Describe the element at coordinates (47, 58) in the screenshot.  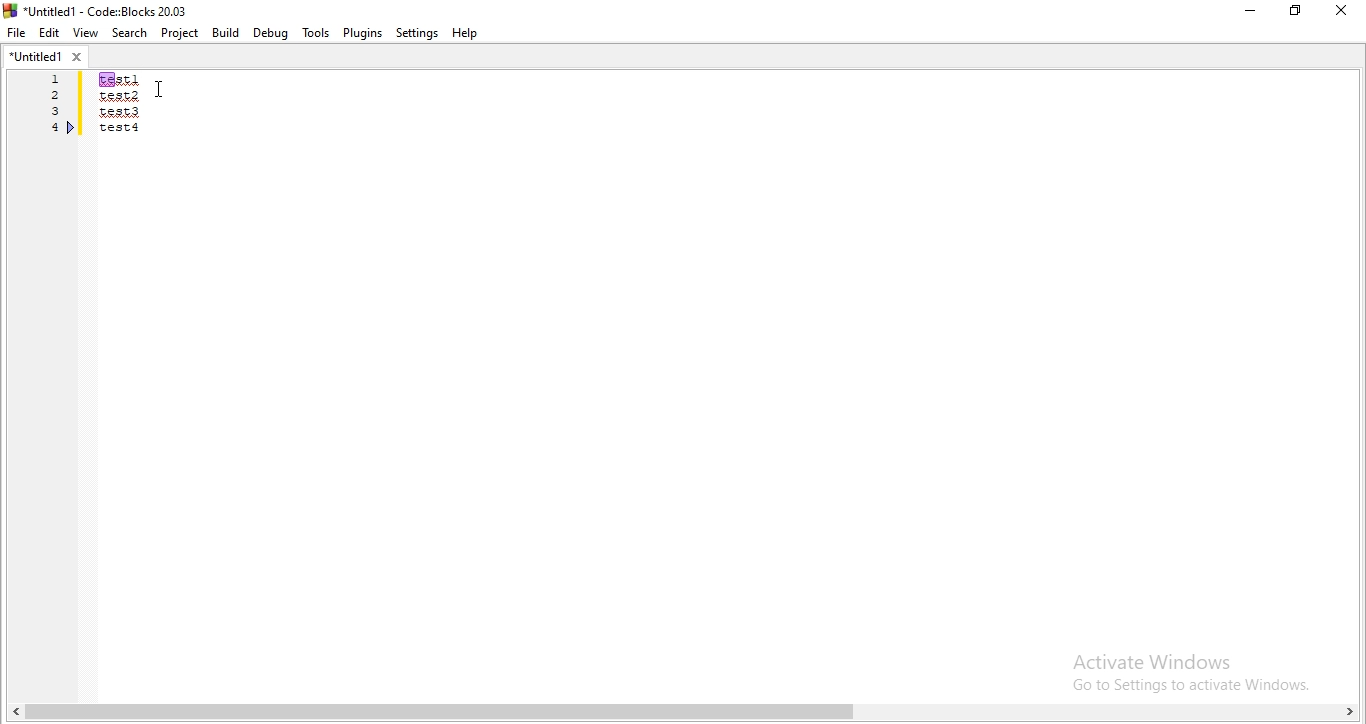
I see `untitled tab` at that location.